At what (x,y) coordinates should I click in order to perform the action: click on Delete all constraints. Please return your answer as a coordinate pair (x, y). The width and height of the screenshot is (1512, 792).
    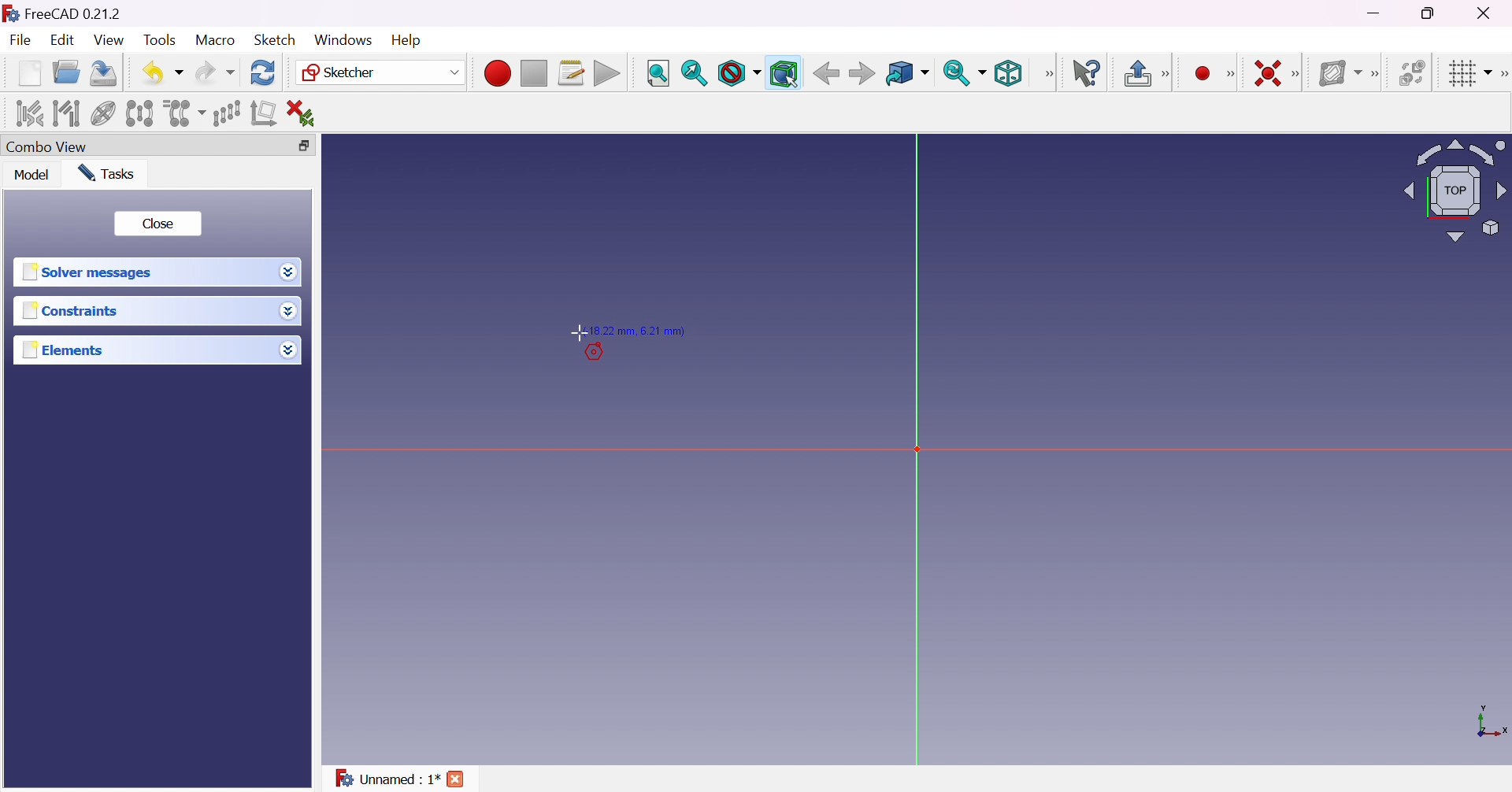
    Looking at the image, I should click on (306, 114).